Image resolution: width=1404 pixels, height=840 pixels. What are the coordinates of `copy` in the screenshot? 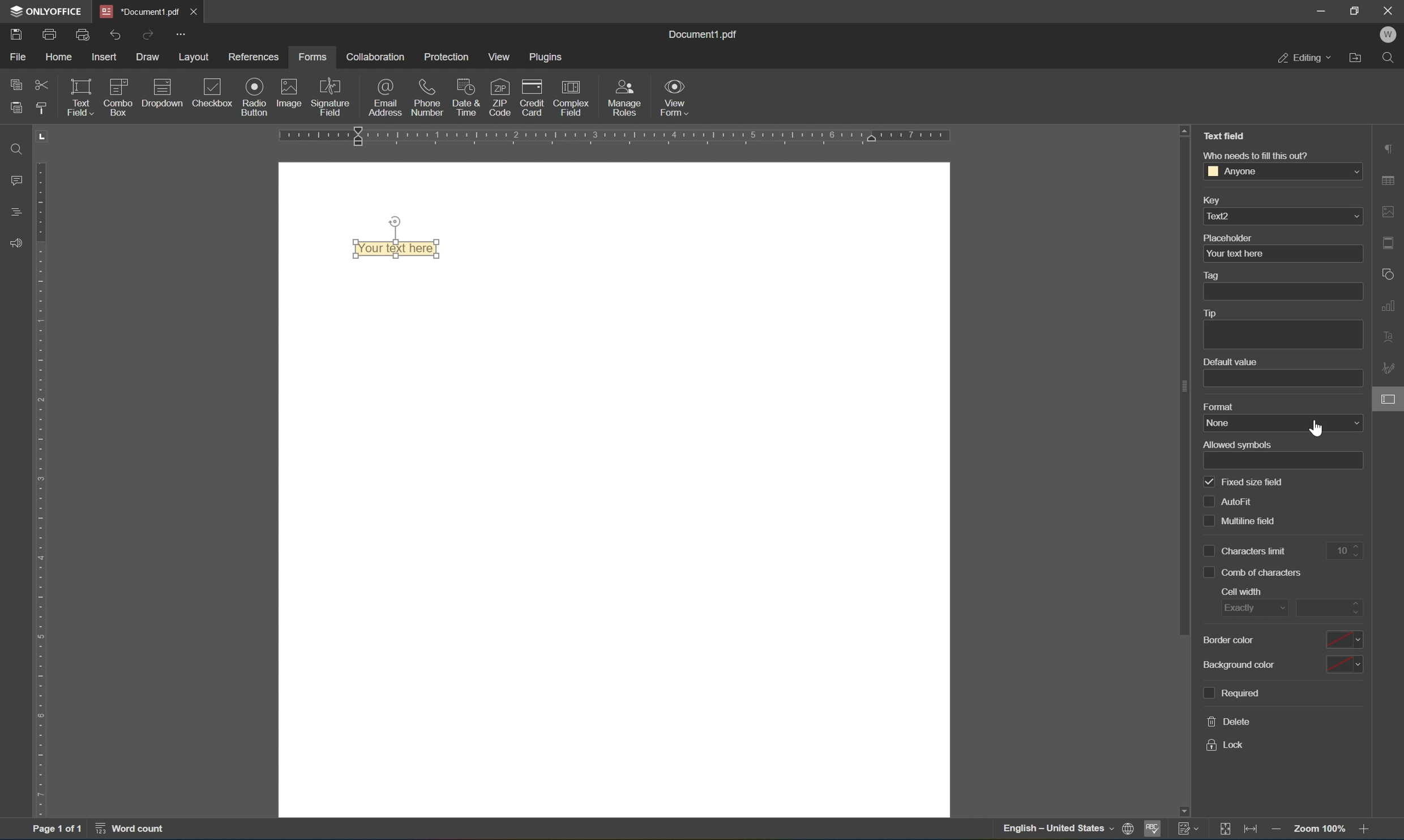 It's located at (13, 84).